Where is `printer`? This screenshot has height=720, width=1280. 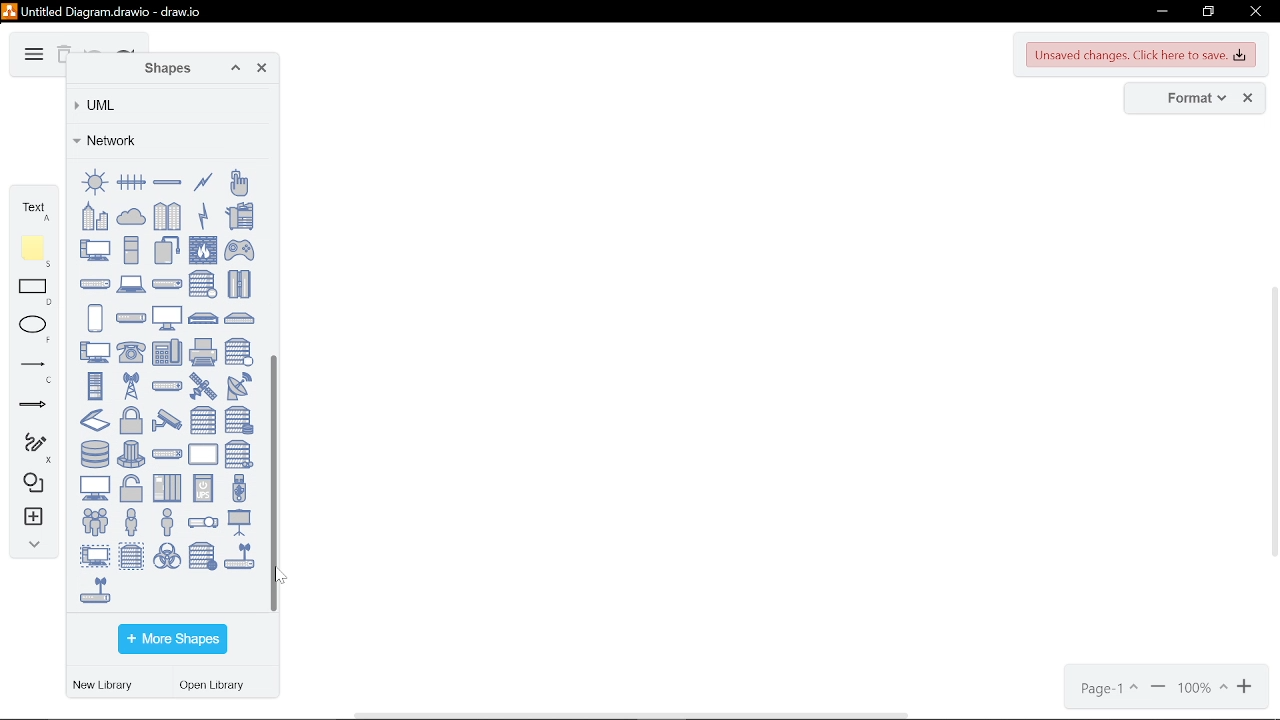 printer is located at coordinates (203, 352).